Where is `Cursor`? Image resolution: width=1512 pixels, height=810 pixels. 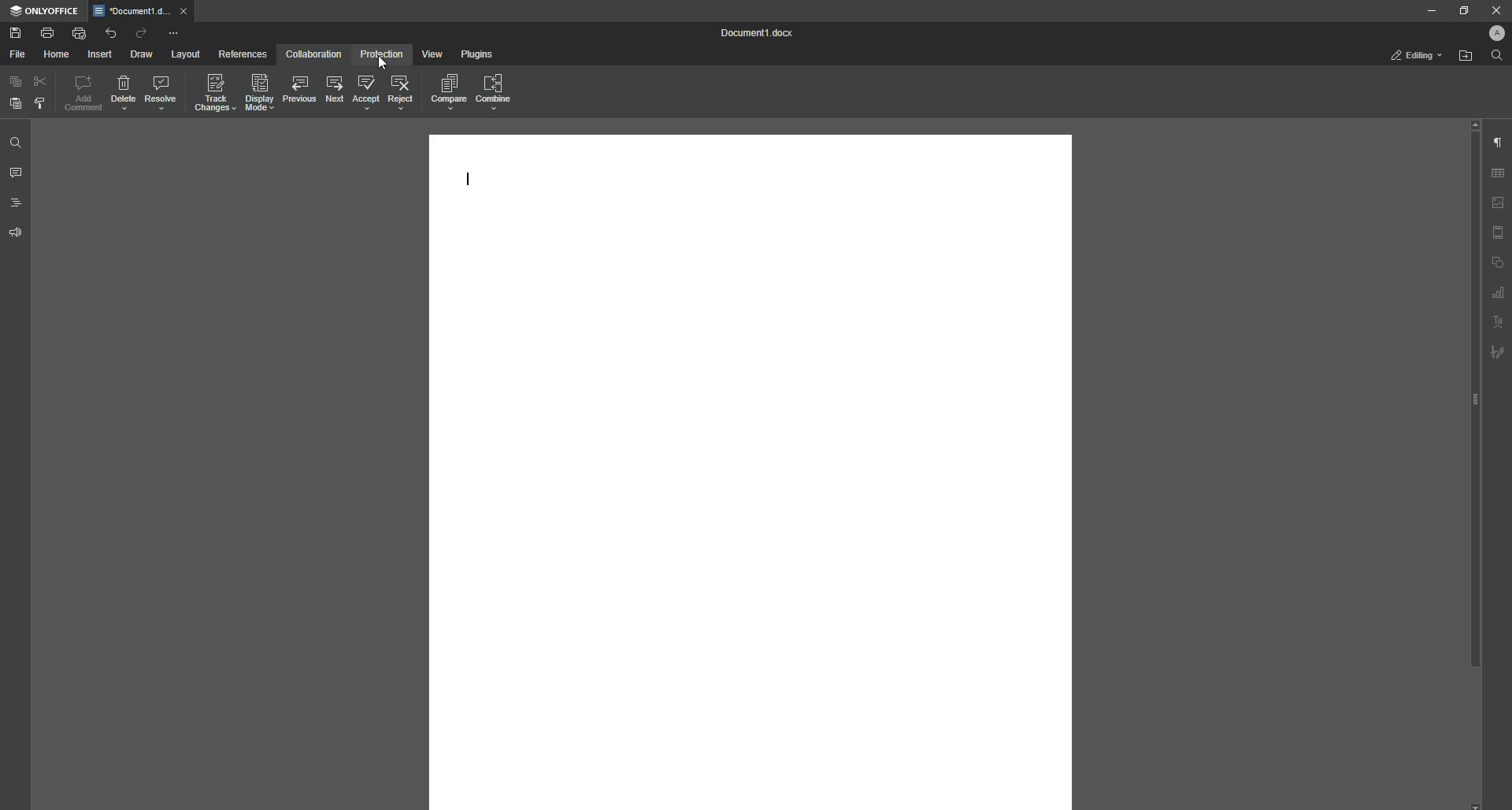
Cursor is located at coordinates (382, 63).